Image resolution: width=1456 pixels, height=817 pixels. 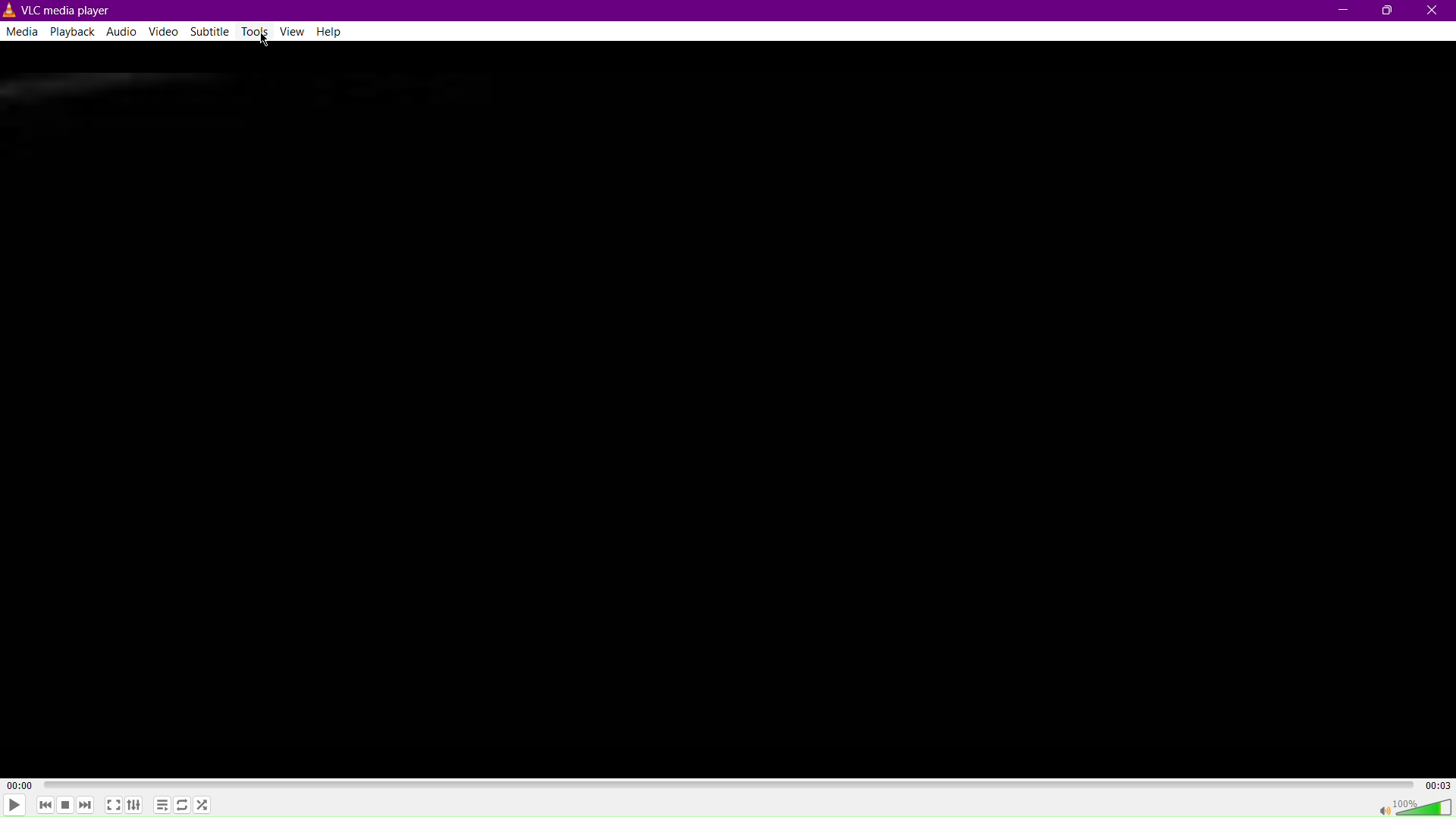 I want to click on Playlist, so click(x=165, y=805).